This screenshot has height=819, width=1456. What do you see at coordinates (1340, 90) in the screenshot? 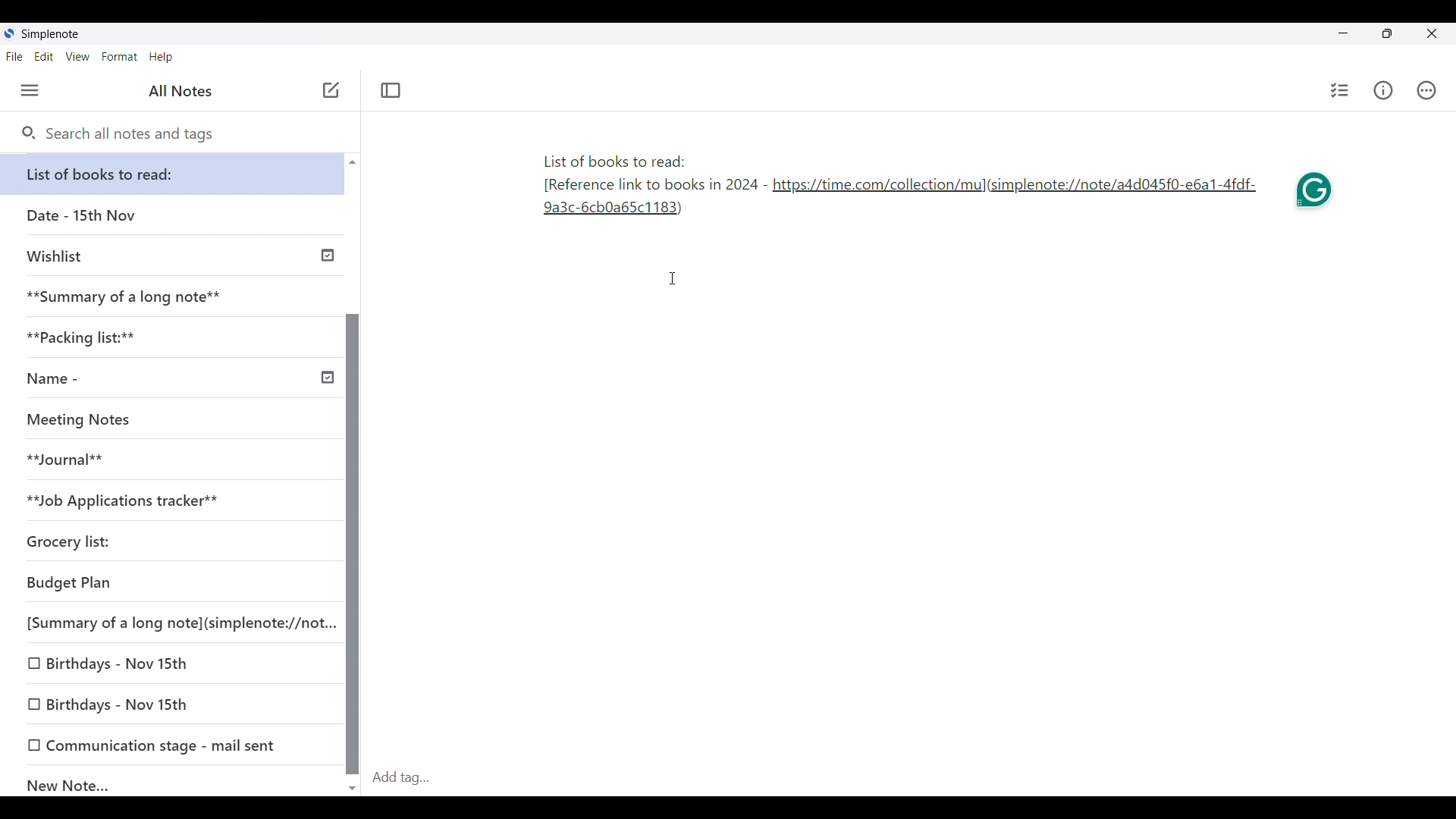
I see `Insert checklist` at bounding box center [1340, 90].